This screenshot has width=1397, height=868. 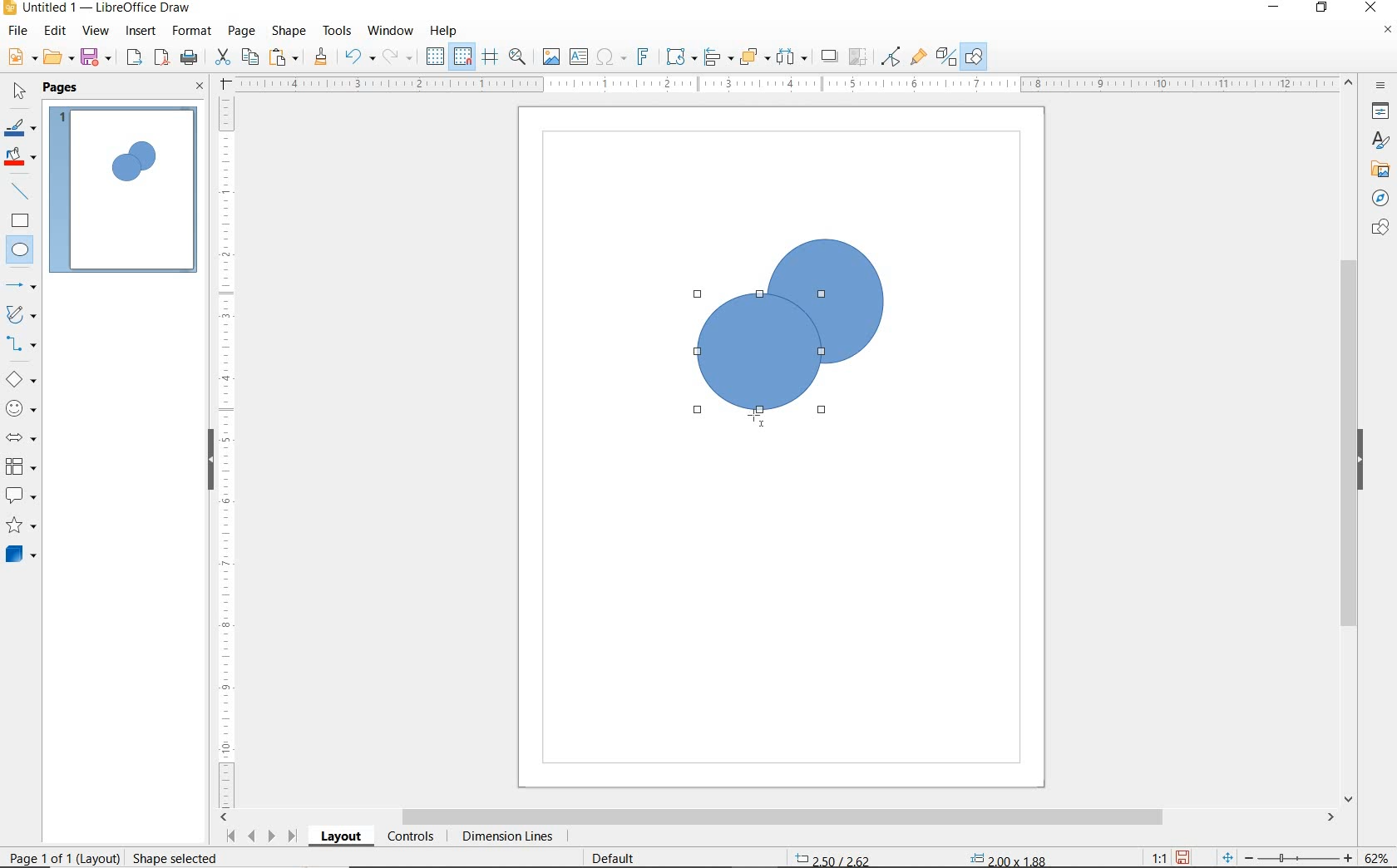 I want to click on DIMENSION LINES, so click(x=505, y=838).